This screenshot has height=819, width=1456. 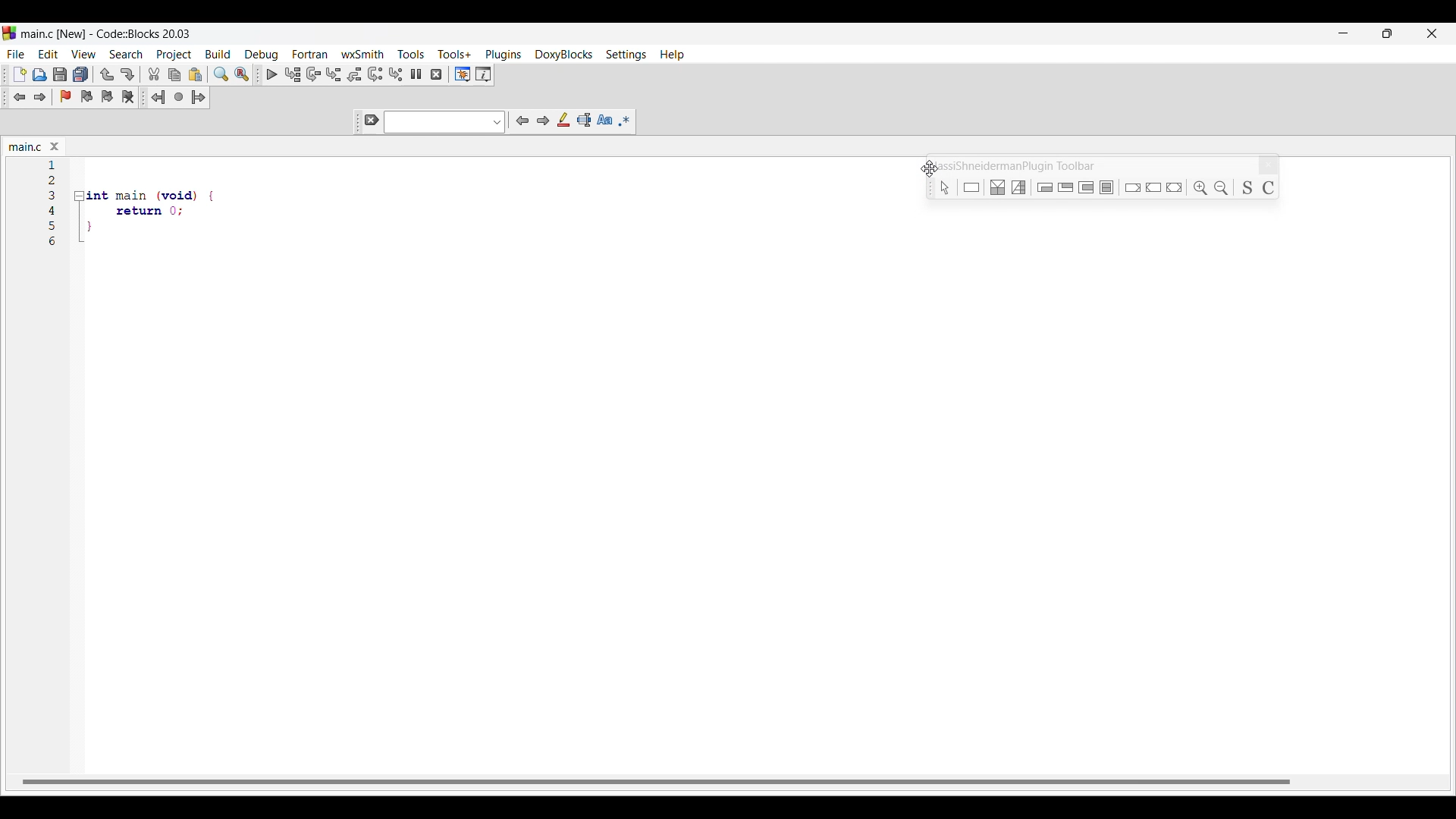 I want to click on New file, so click(x=20, y=74).